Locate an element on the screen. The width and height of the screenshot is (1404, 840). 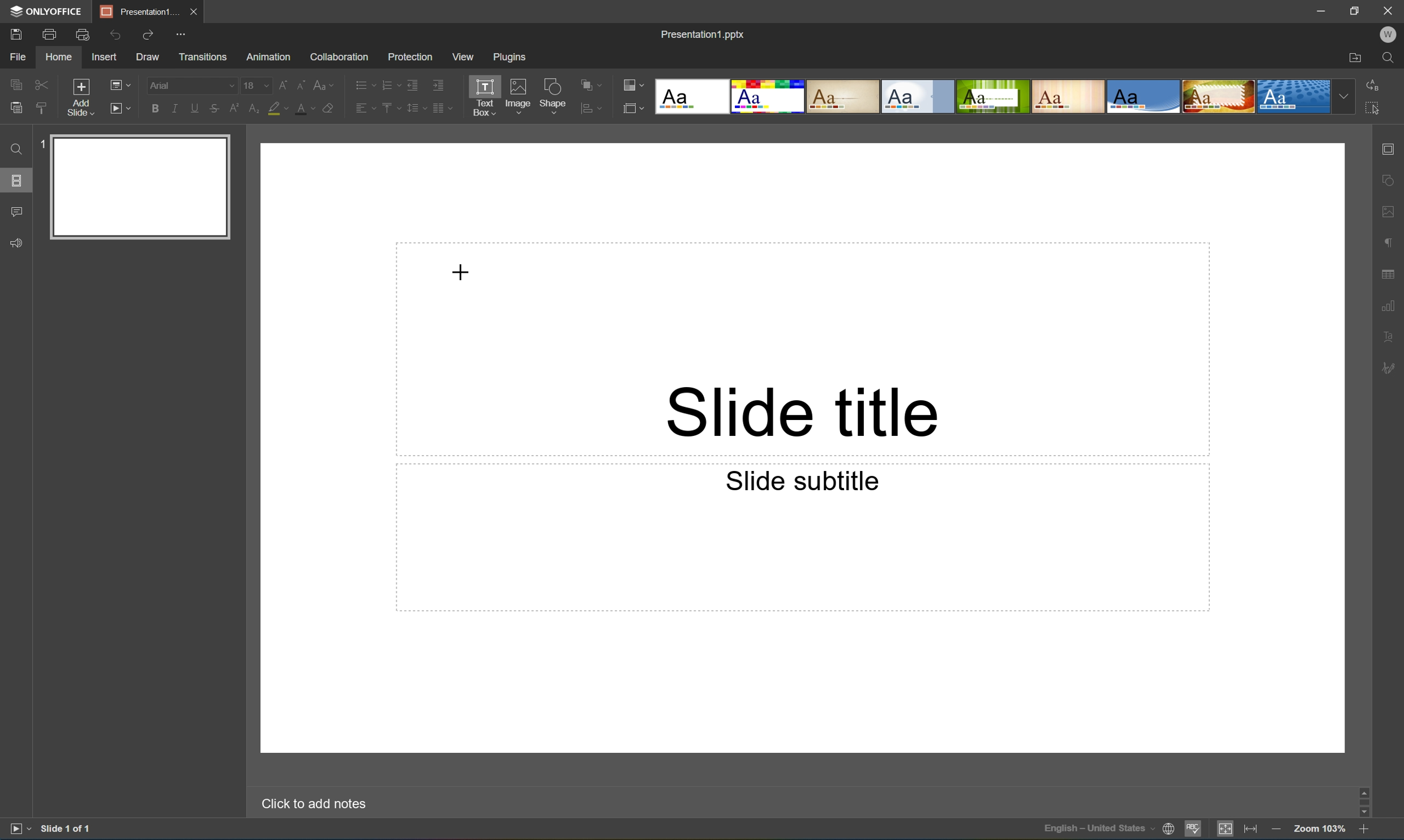
Highlight is located at coordinates (279, 109).